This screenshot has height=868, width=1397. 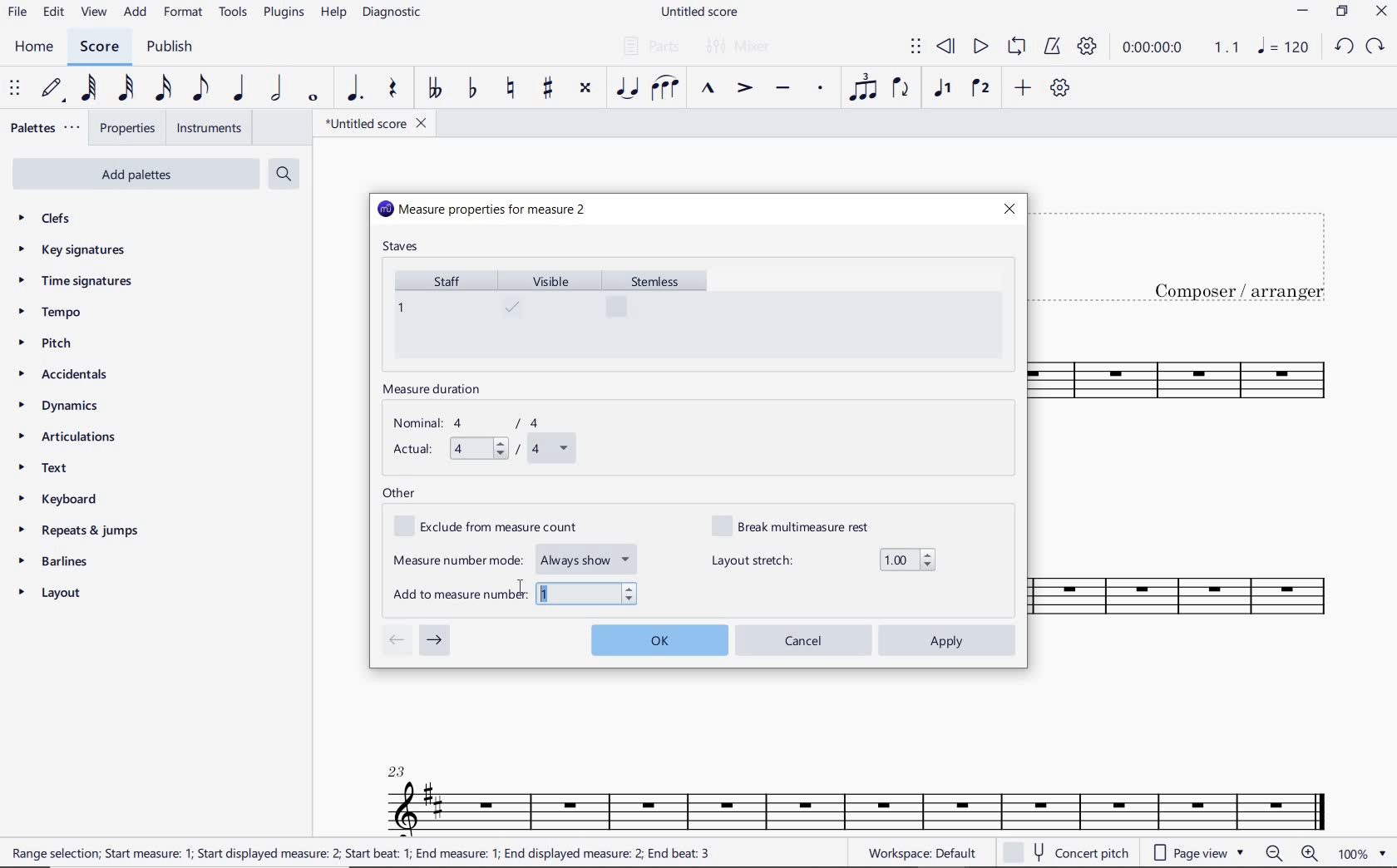 I want to click on TOGGLE DOUBLE-SHARP, so click(x=585, y=88).